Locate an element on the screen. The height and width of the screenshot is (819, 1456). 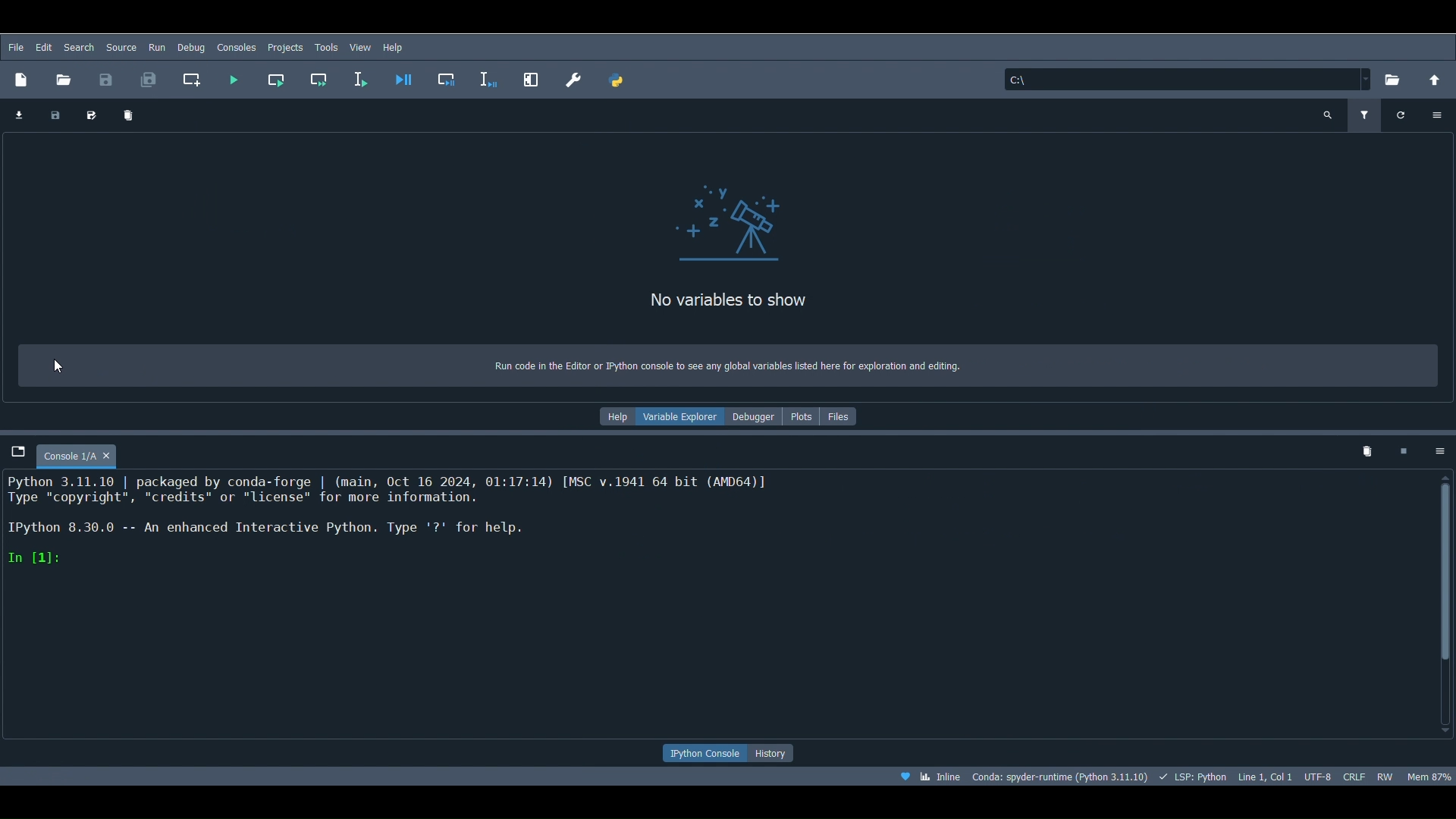
Remove all variables is located at coordinates (128, 118).